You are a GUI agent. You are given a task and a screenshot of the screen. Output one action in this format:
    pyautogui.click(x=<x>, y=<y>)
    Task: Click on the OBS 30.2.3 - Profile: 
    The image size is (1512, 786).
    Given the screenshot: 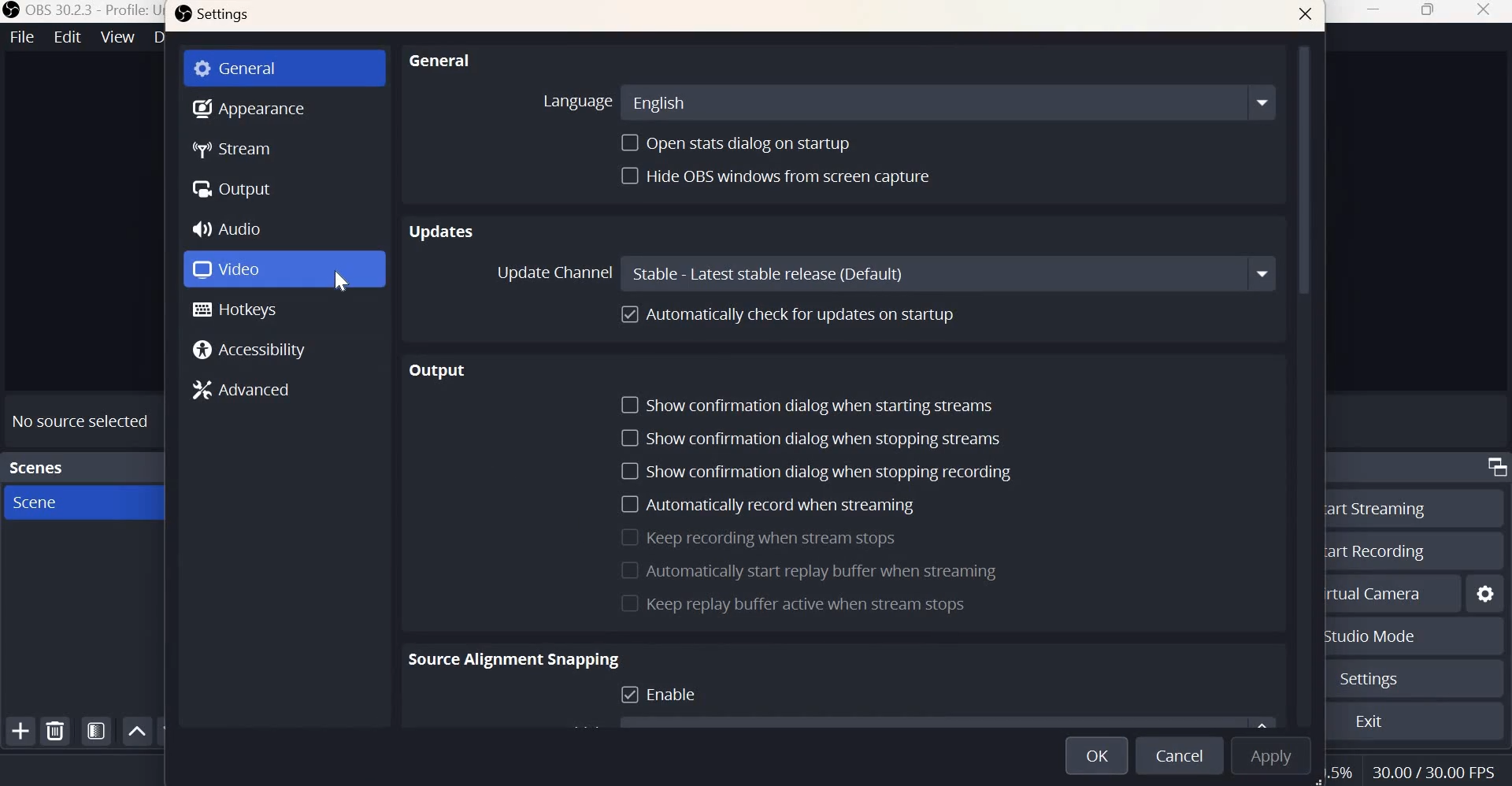 What is the action you would take?
    pyautogui.click(x=76, y=10)
    